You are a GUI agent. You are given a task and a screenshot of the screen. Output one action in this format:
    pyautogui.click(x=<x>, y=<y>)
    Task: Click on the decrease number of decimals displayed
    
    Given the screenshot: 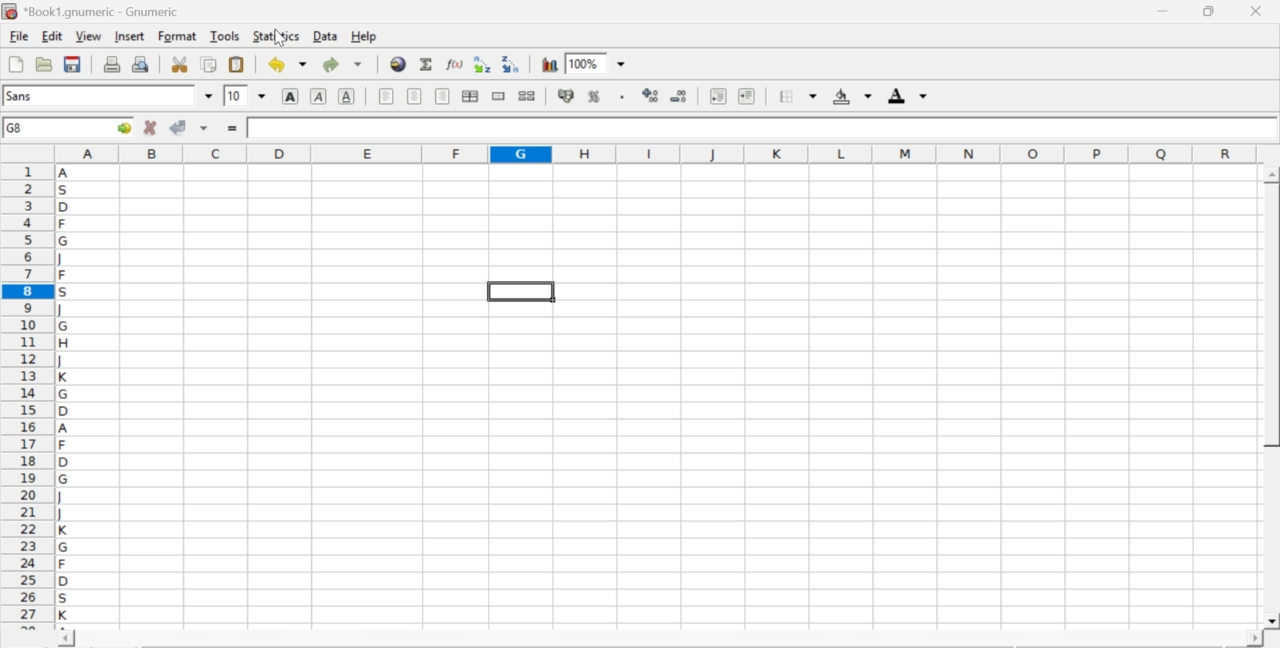 What is the action you would take?
    pyautogui.click(x=650, y=96)
    